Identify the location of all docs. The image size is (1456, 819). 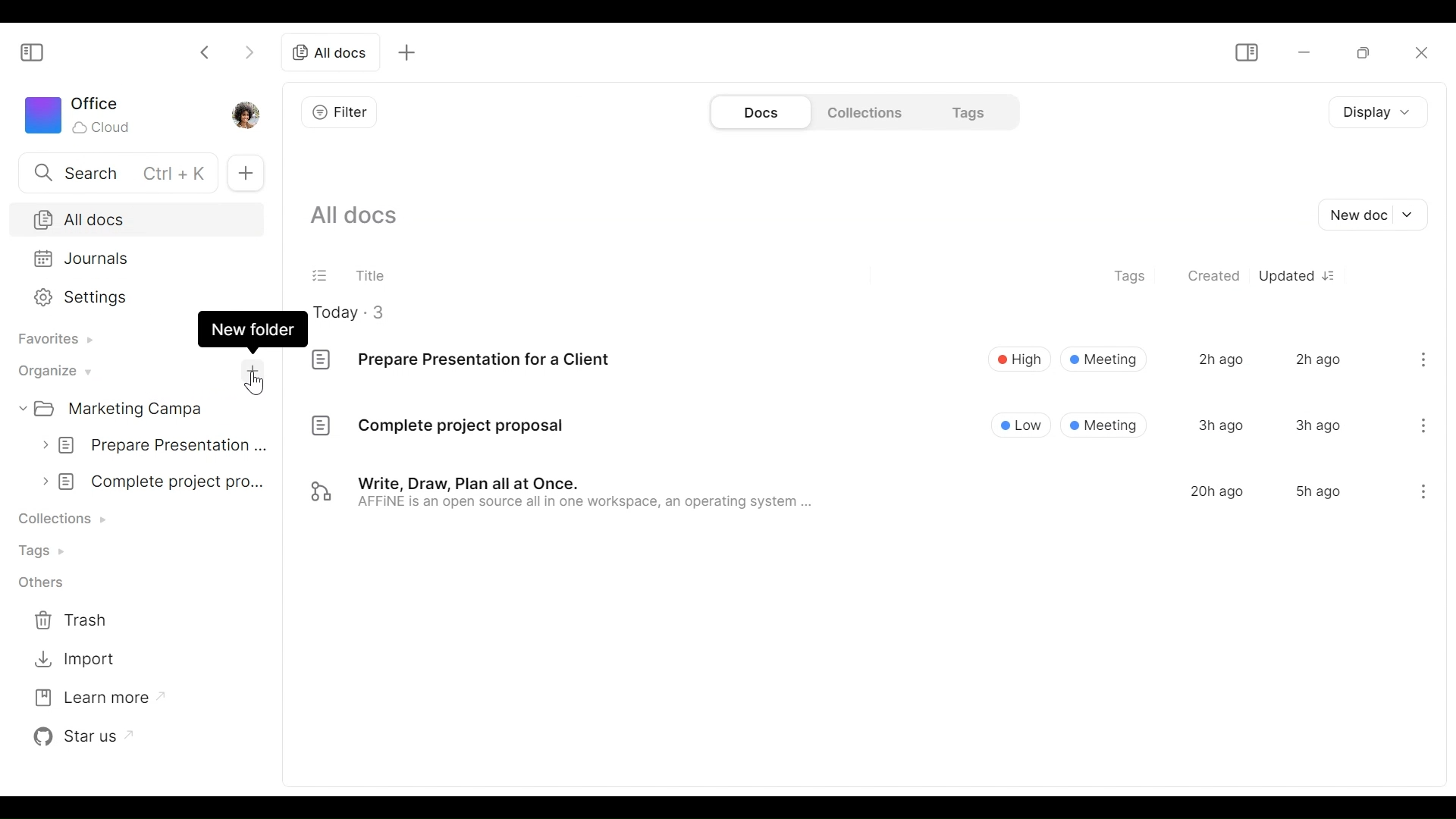
(330, 53).